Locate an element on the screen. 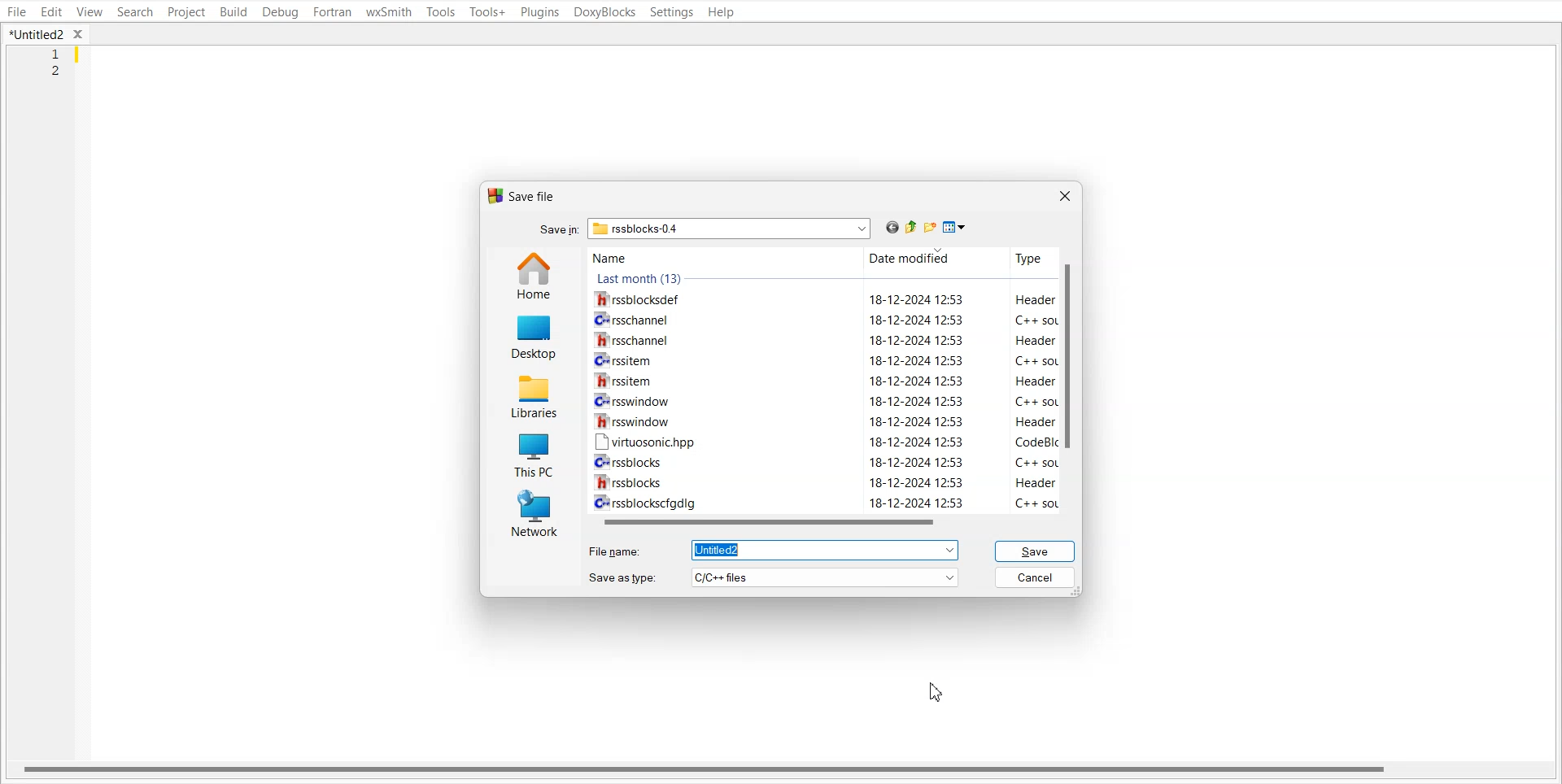 Image resolution: width=1562 pixels, height=784 pixels. Horizontal scroll bar is located at coordinates (822, 522).